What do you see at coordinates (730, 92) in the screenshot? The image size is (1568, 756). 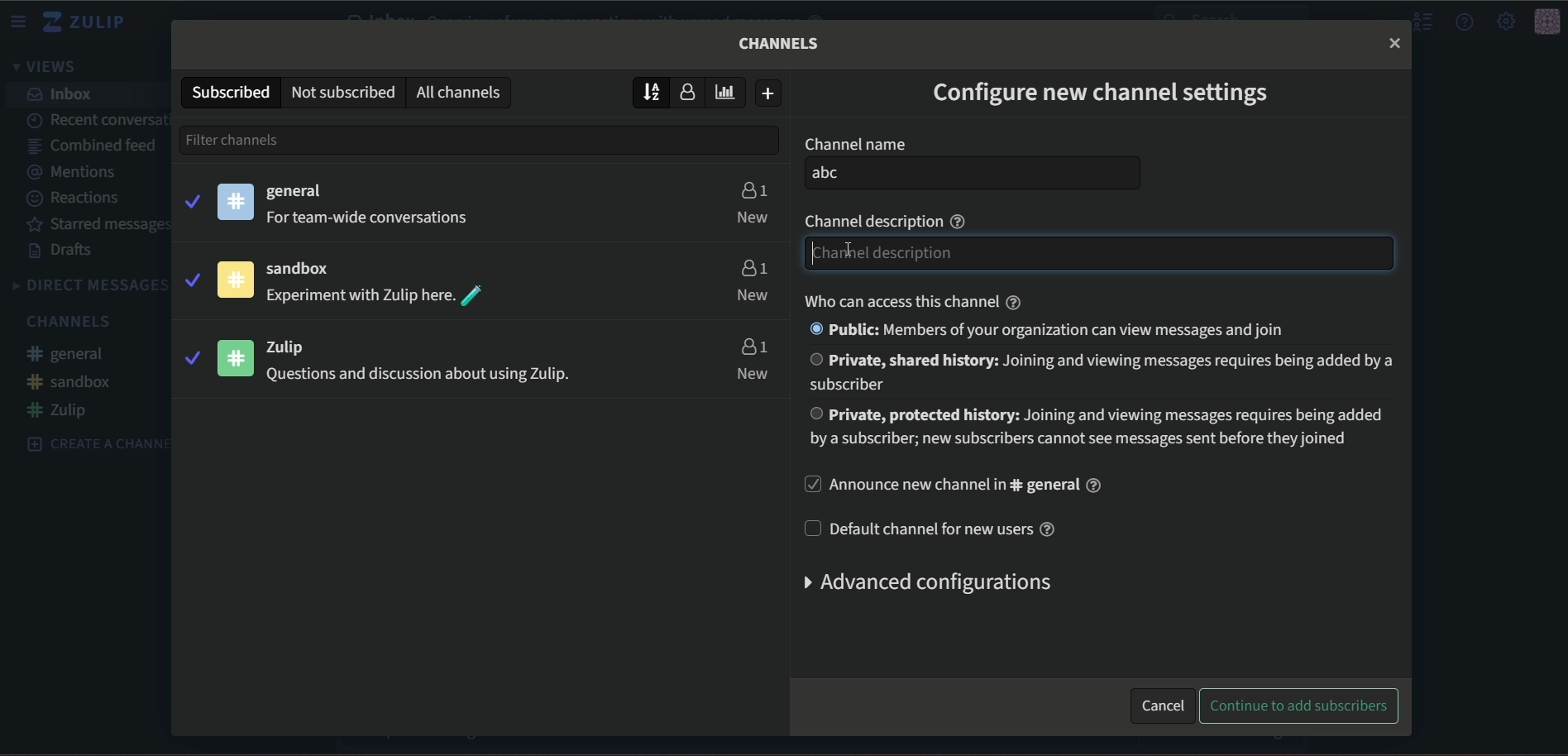 I see `poll` at bounding box center [730, 92].